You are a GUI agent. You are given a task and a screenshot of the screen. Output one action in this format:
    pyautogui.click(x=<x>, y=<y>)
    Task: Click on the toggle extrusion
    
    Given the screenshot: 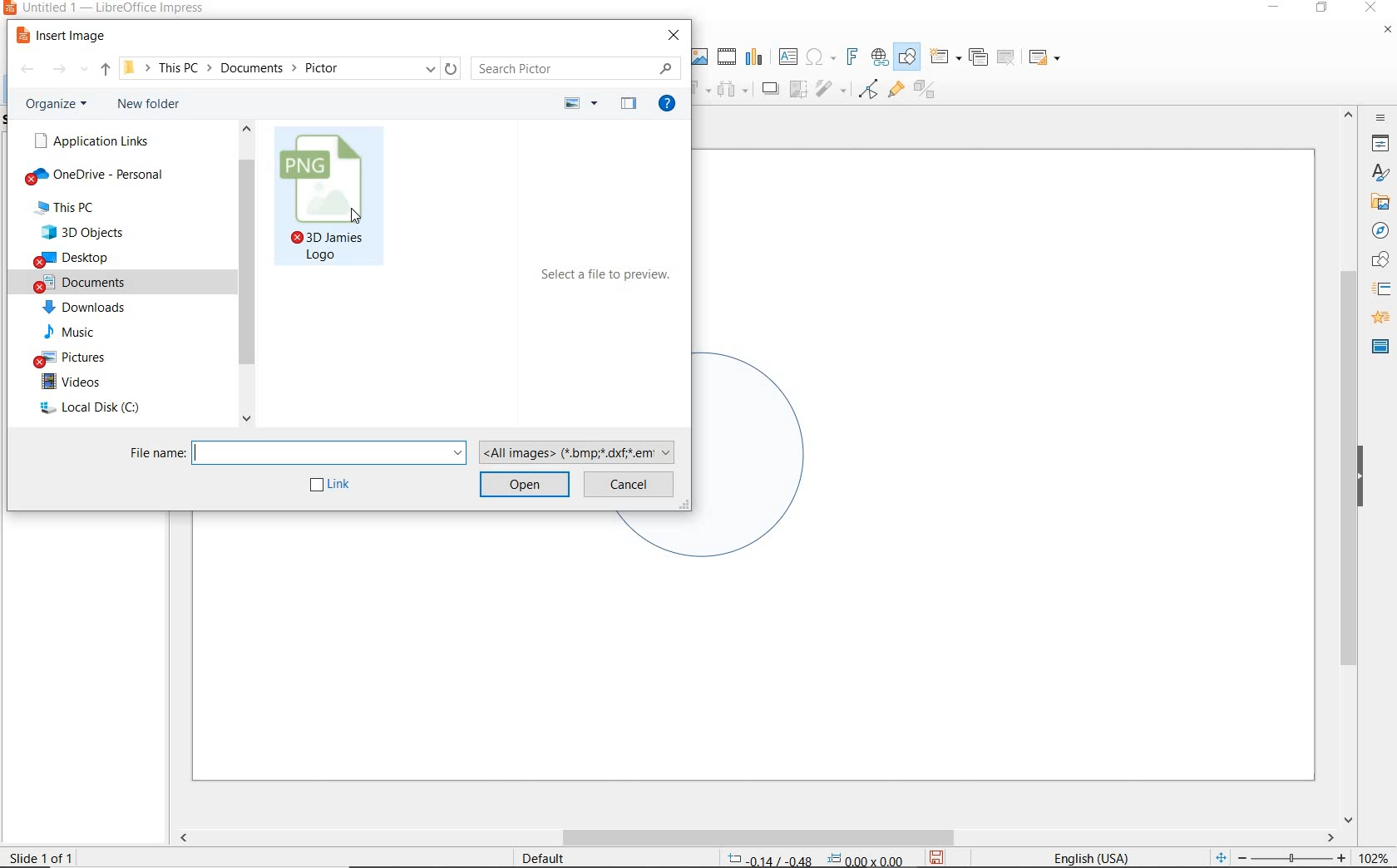 What is the action you would take?
    pyautogui.click(x=929, y=91)
    